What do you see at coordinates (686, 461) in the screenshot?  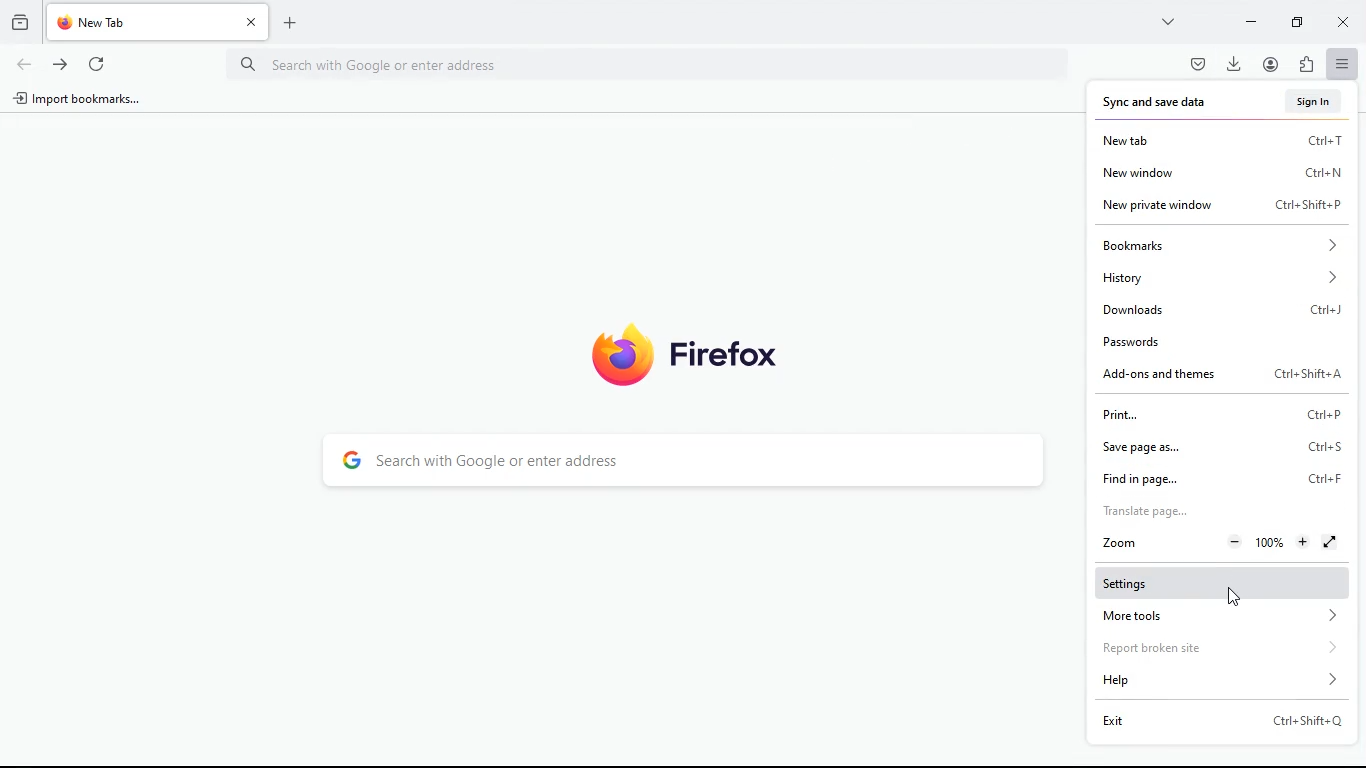 I see `search` at bounding box center [686, 461].